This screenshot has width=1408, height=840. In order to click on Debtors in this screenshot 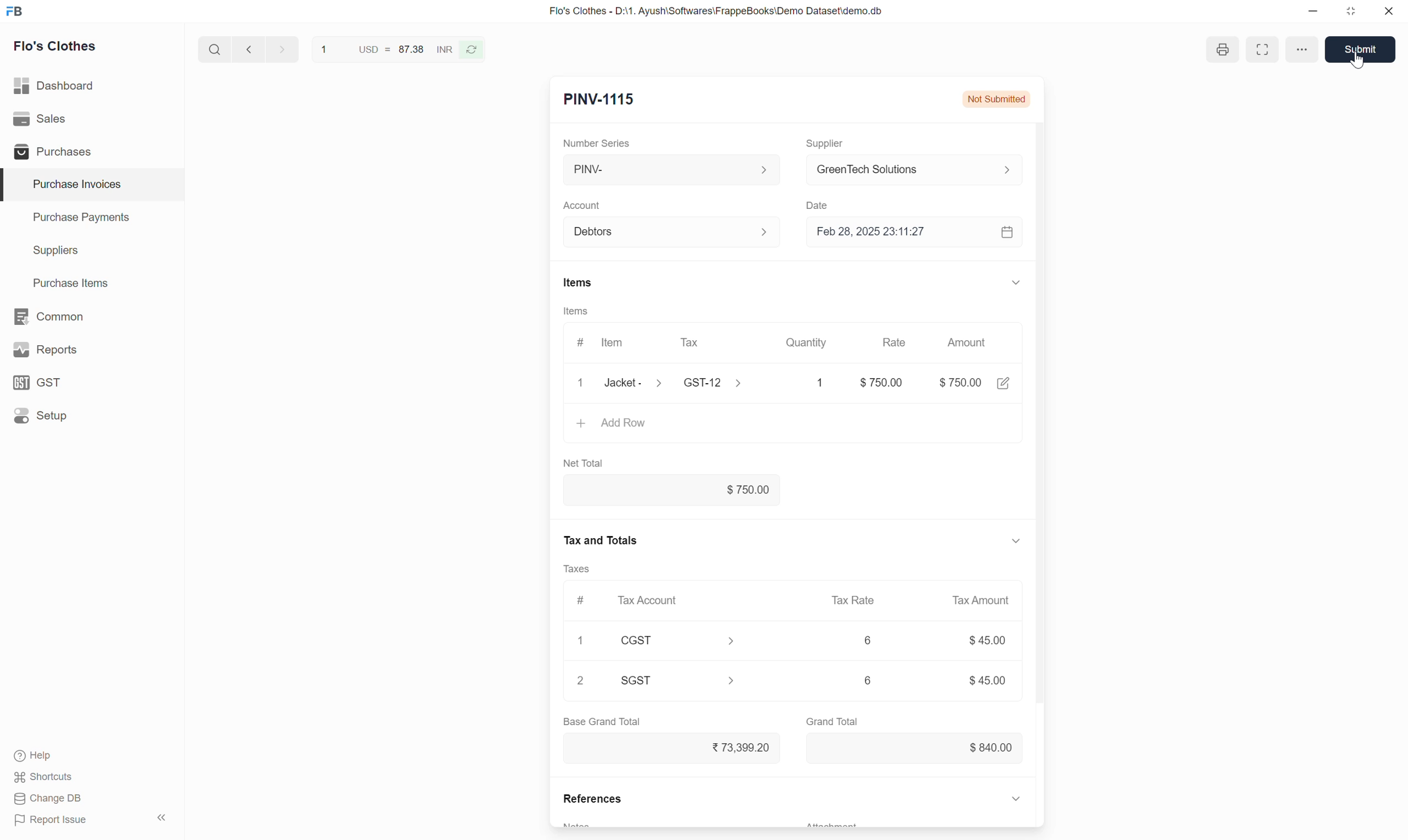, I will do `click(674, 232)`.